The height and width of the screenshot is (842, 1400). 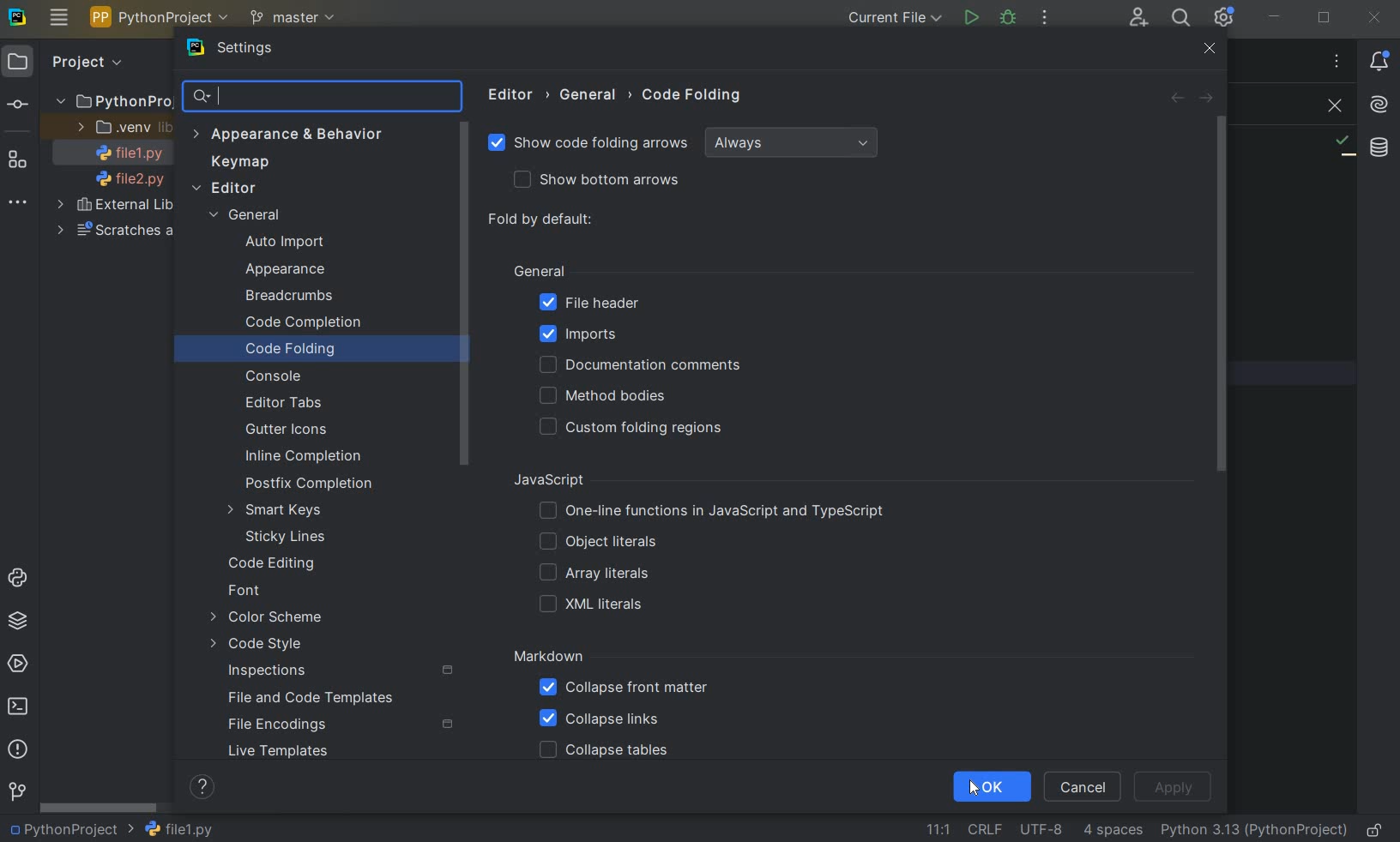 What do you see at coordinates (112, 232) in the screenshot?
I see `SCRATCHES AND CONSOLES` at bounding box center [112, 232].